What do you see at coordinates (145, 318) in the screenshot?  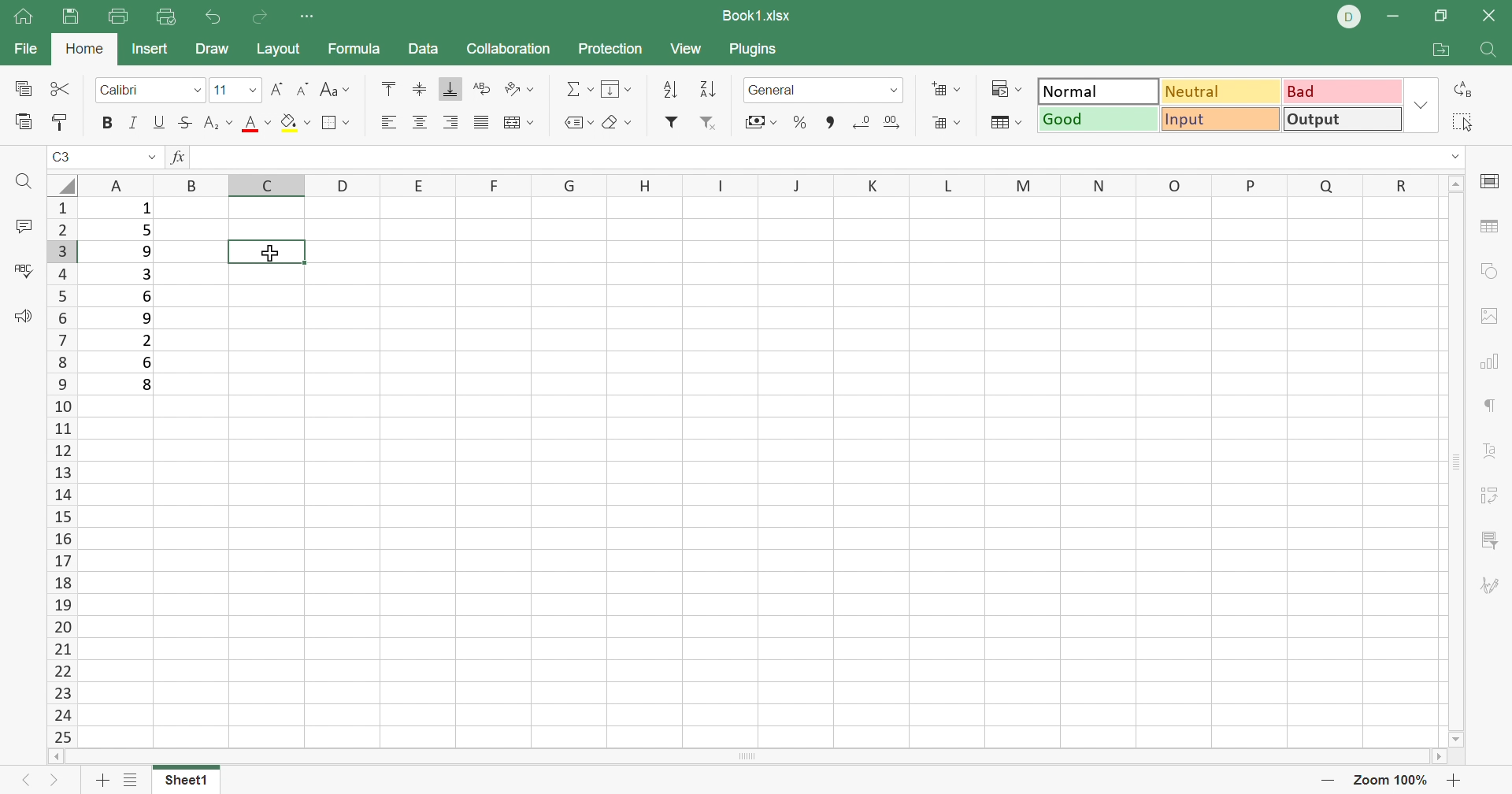 I see `9` at bounding box center [145, 318].